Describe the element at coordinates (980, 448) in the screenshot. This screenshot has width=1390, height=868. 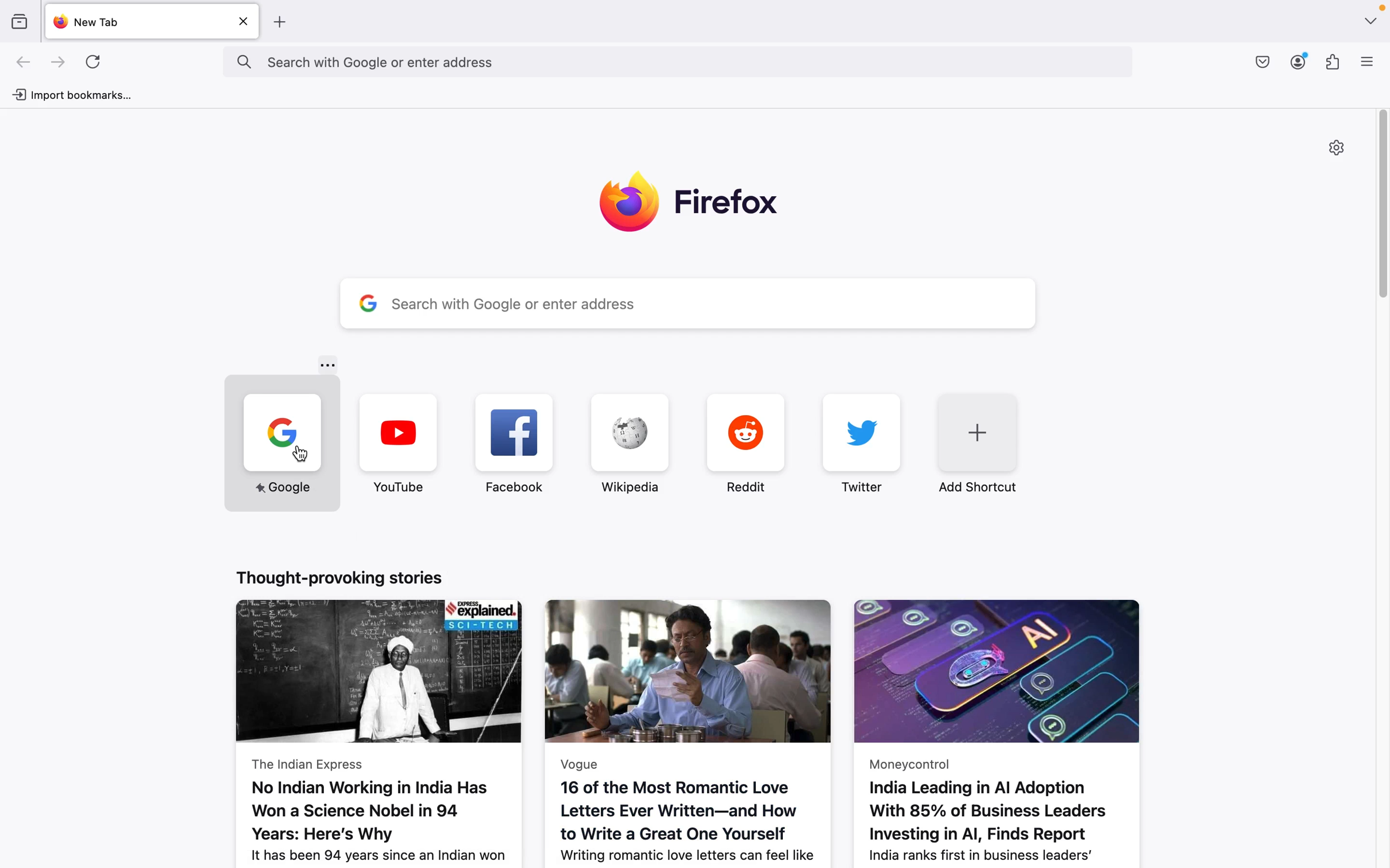
I see `add shortcut` at that location.